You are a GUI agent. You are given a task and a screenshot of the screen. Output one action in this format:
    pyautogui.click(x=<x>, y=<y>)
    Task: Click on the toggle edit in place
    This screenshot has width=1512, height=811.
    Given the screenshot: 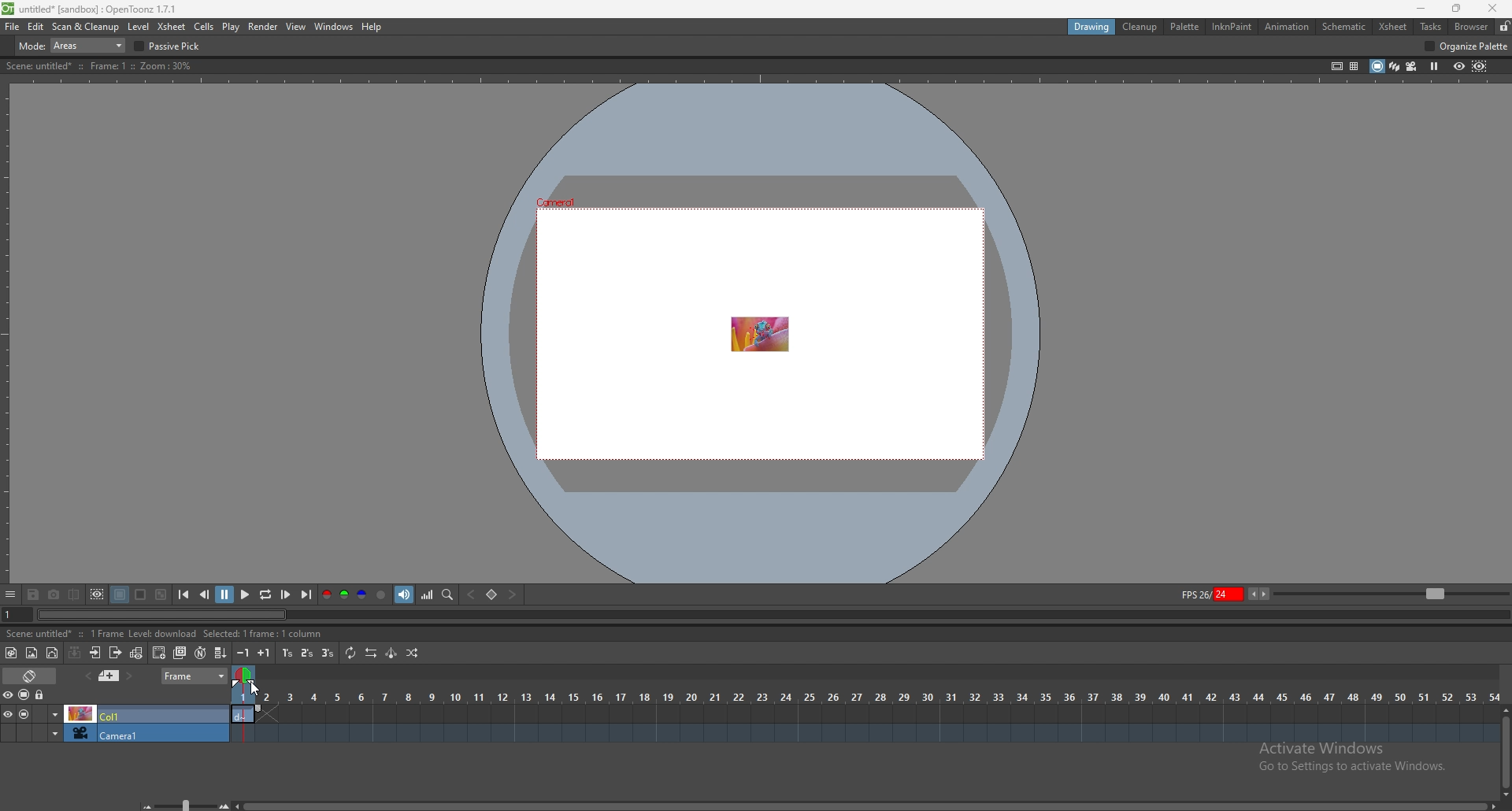 What is the action you would take?
    pyautogui.click(x=138, y=654)
    